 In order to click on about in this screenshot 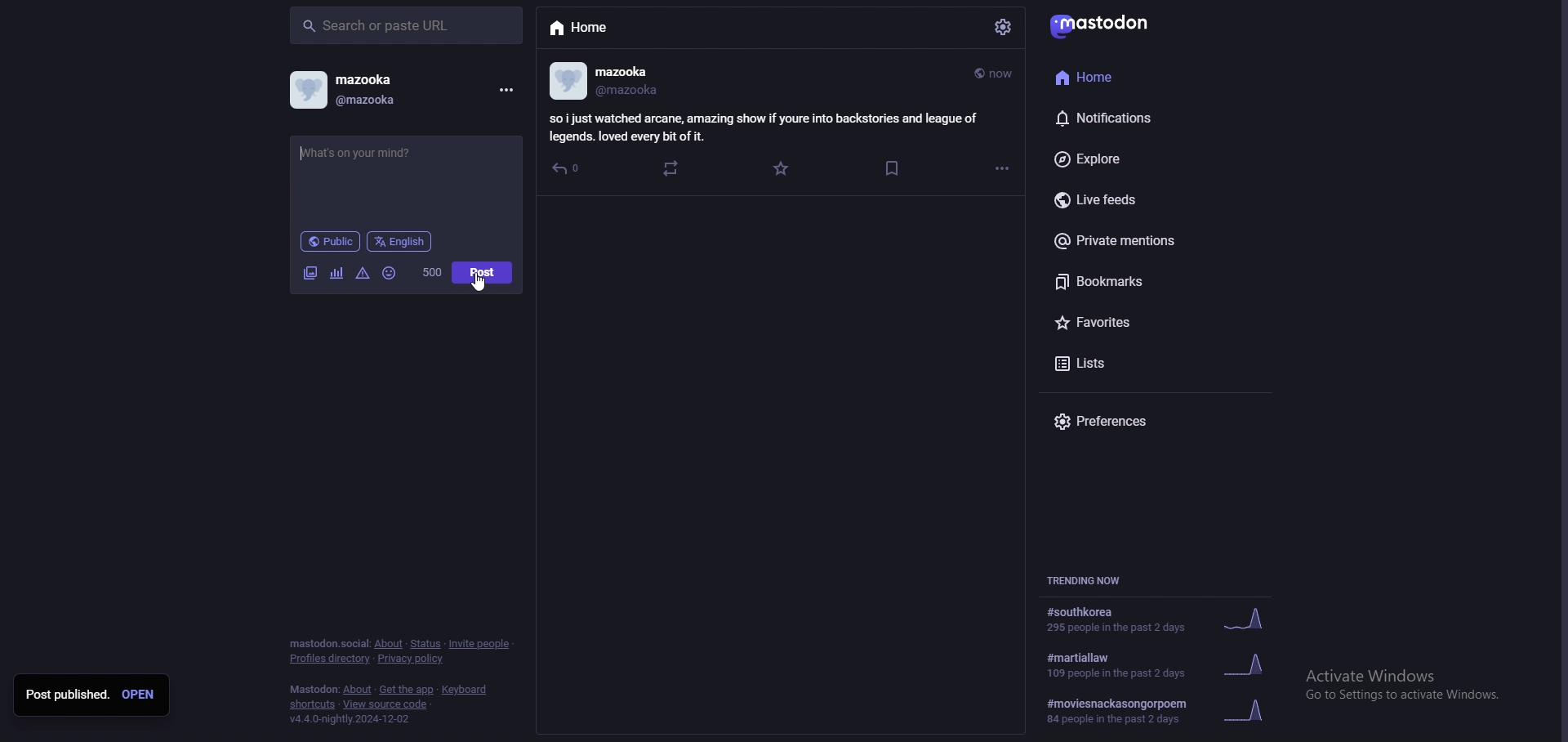, I will do `click(357, 690)`.